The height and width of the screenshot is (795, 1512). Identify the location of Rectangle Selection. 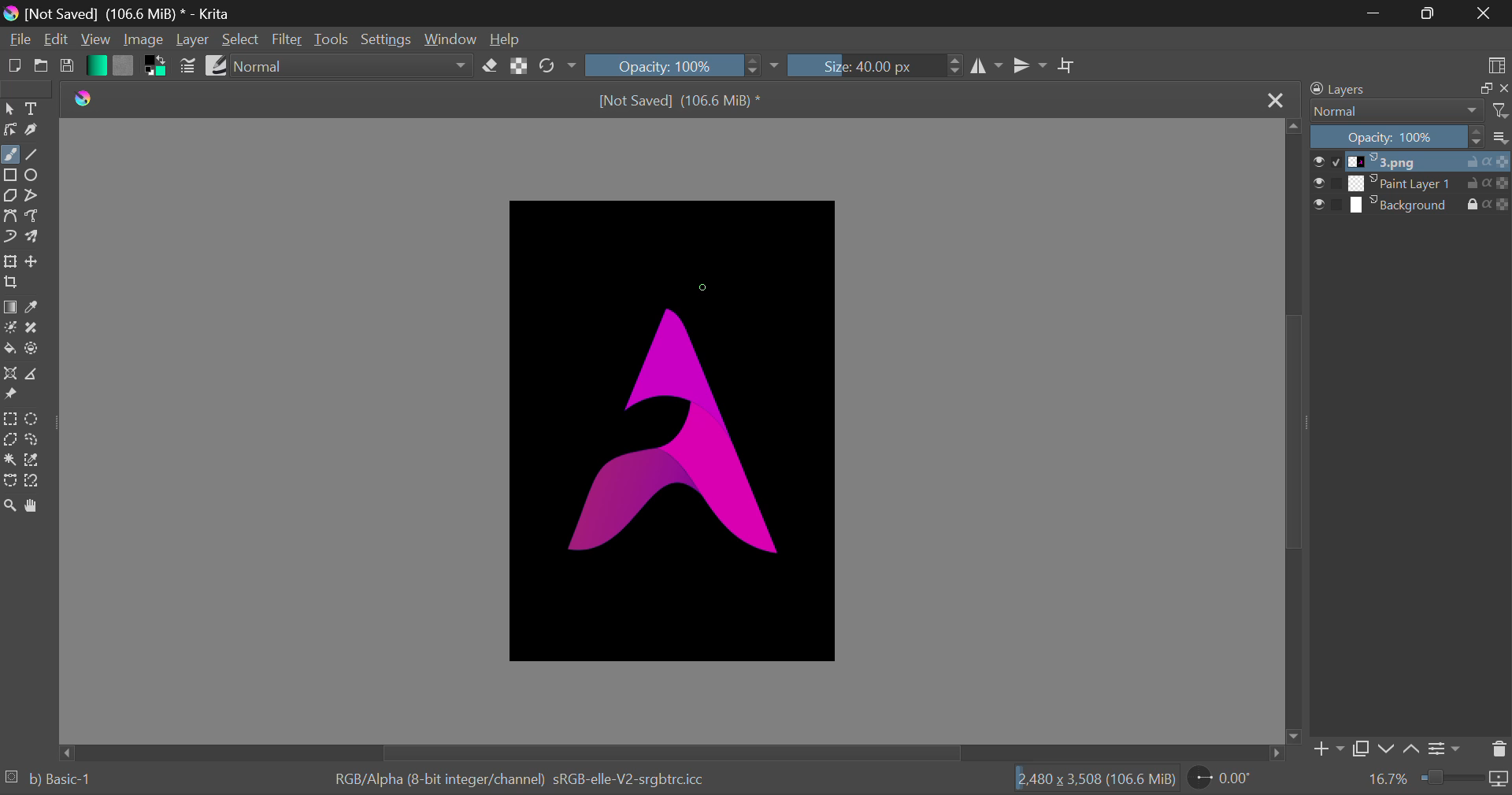
(9, 419).